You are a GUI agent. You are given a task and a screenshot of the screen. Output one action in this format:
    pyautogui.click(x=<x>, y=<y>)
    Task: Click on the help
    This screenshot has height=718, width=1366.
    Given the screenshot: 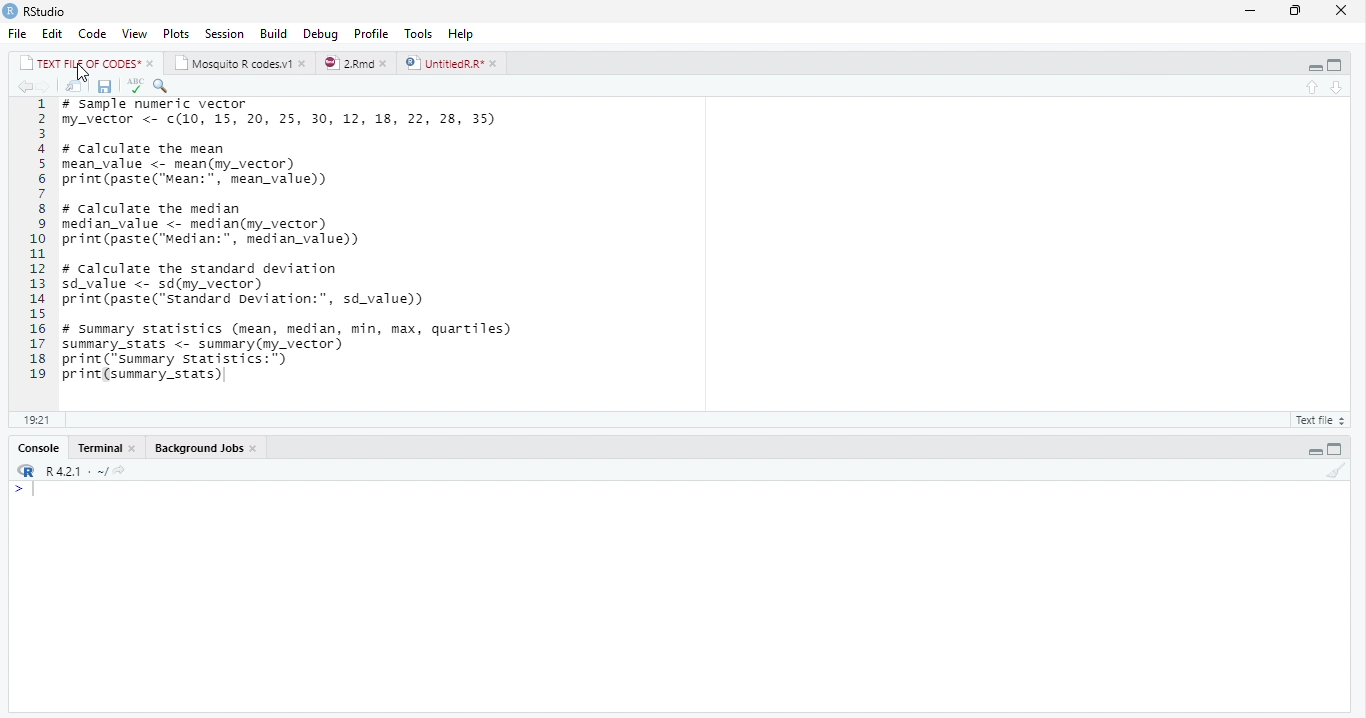 What is the action you would take?
    pyautogui.click(x=461, y=34)
    